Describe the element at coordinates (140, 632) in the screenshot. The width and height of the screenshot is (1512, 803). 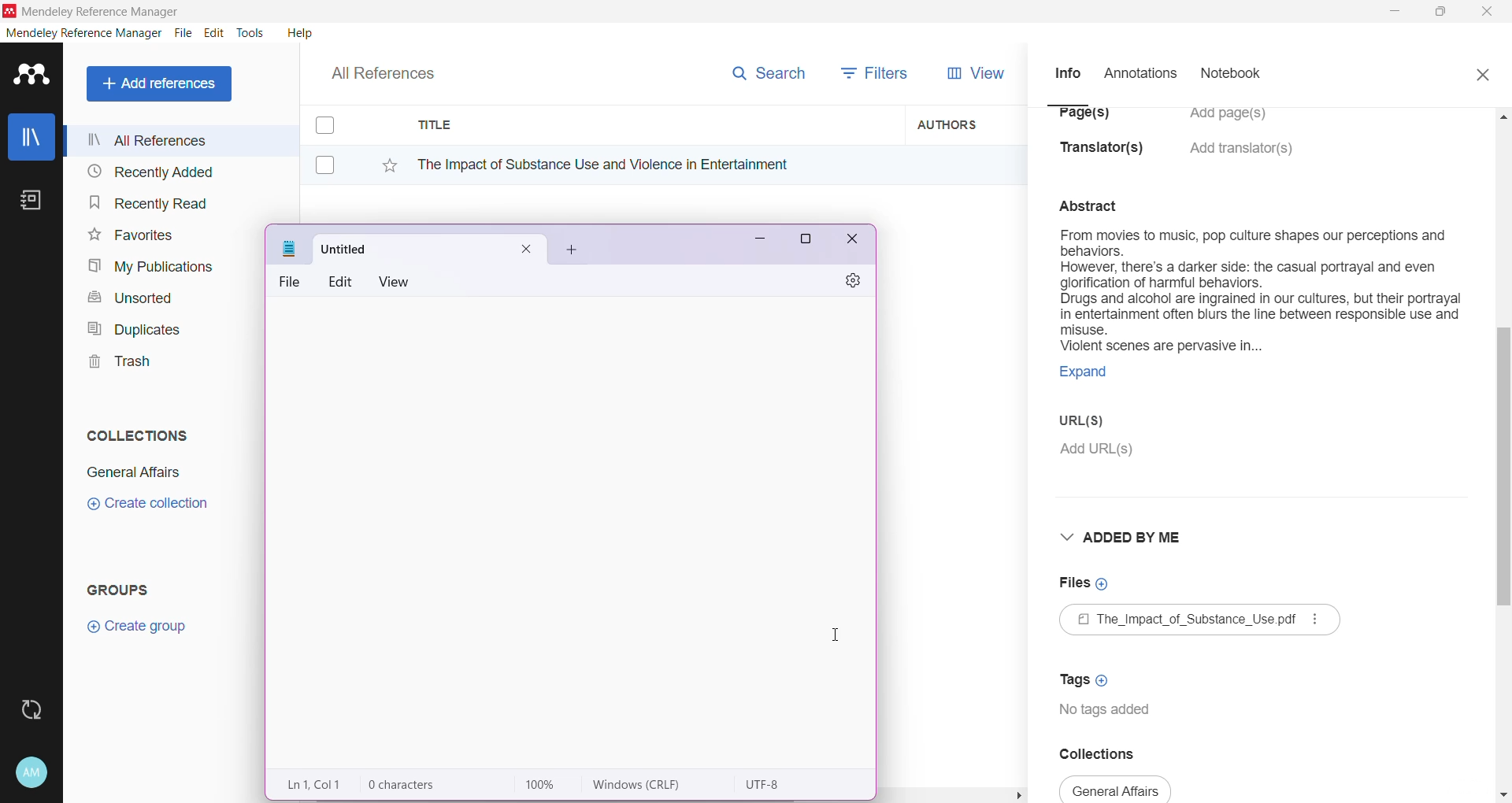
I see `Click to Create Group` at that location.